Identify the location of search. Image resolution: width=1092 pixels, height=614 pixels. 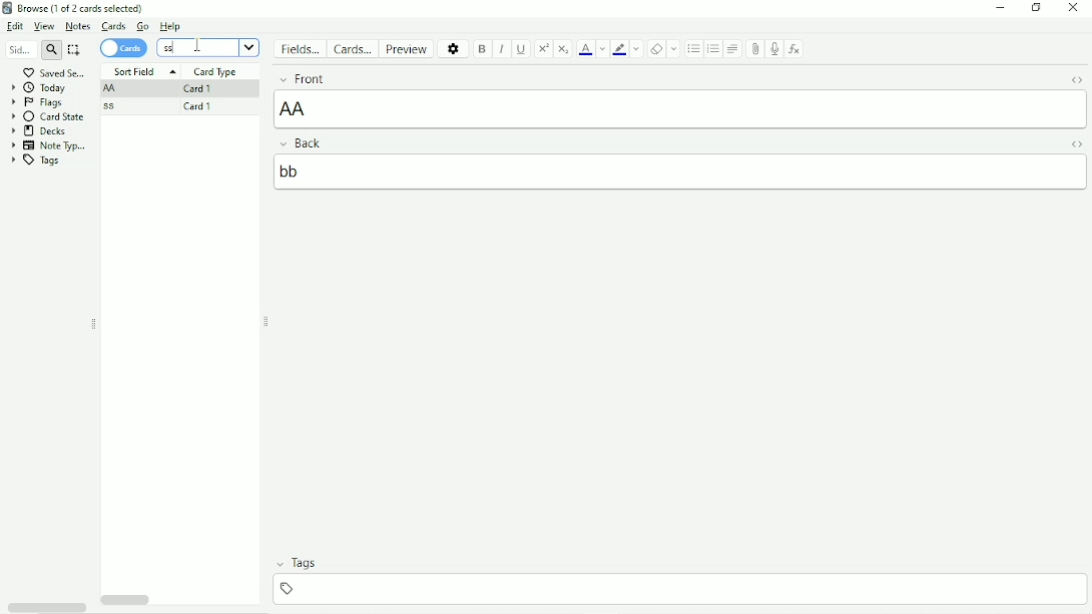
(51, 50).